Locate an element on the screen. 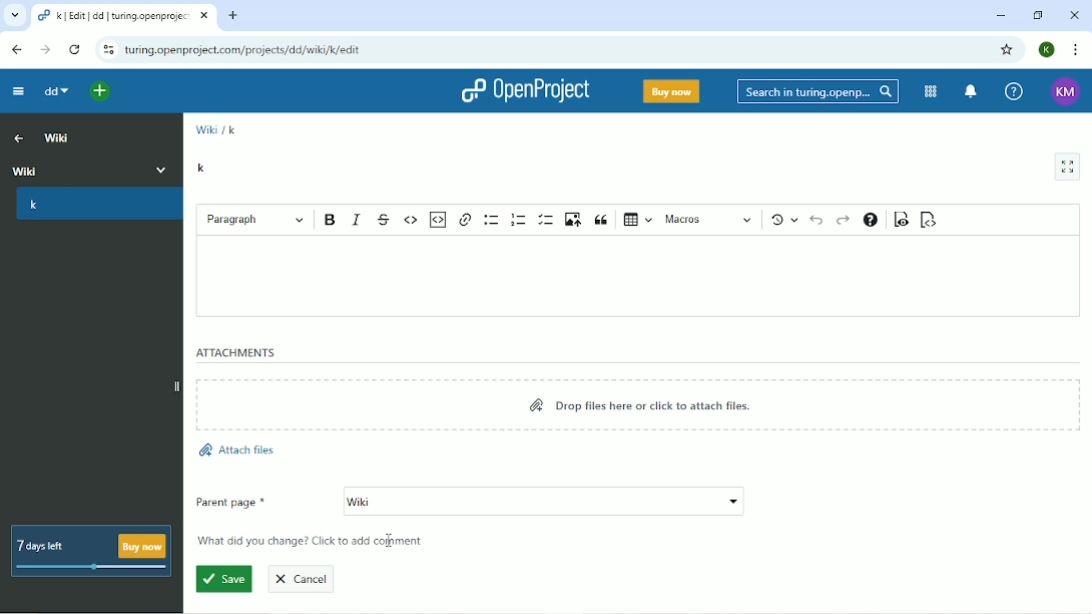   k| Edit| dd | turing.openproject is located at coordinates (114, 18).